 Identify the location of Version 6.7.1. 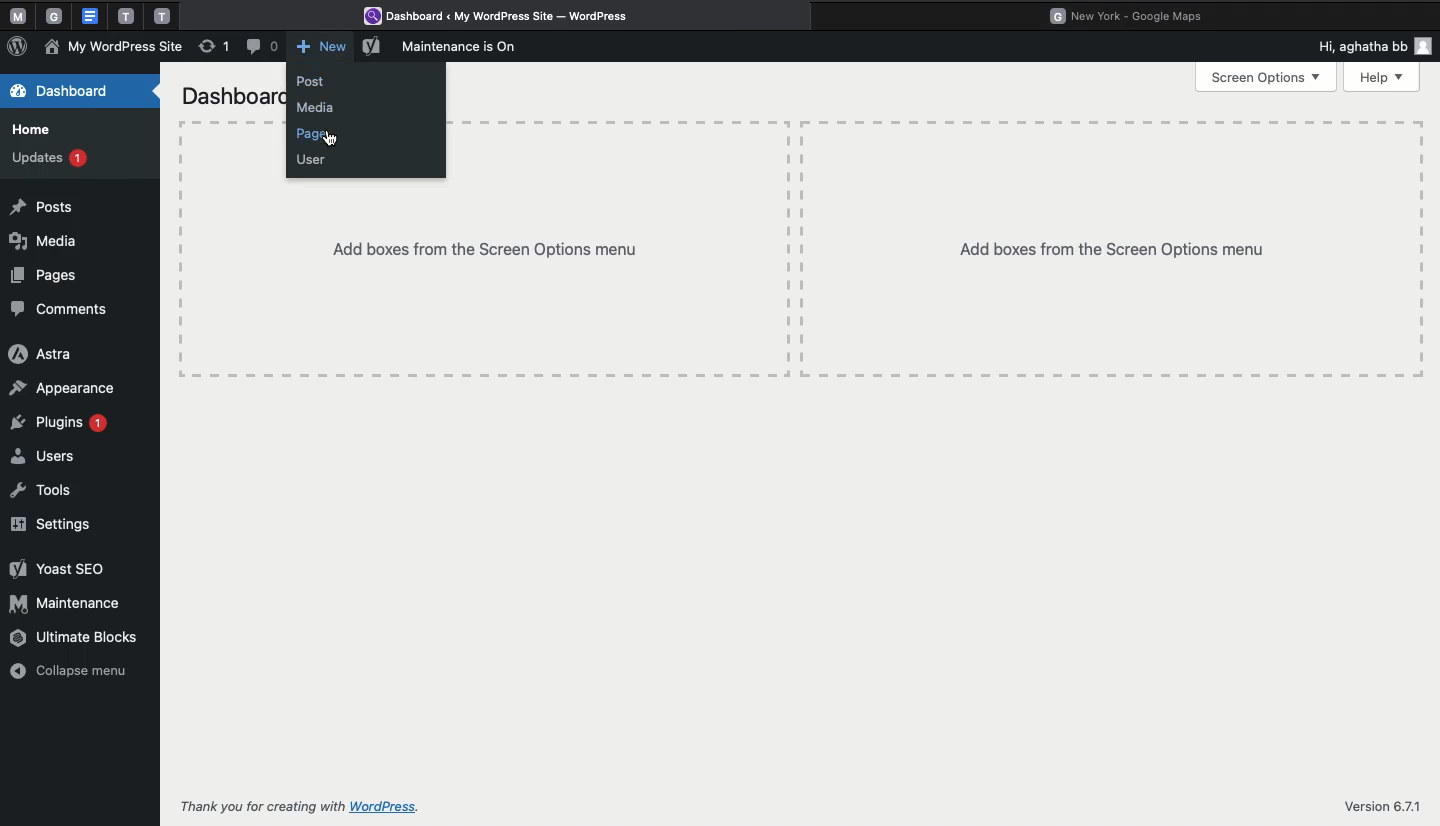
(1381, 807).